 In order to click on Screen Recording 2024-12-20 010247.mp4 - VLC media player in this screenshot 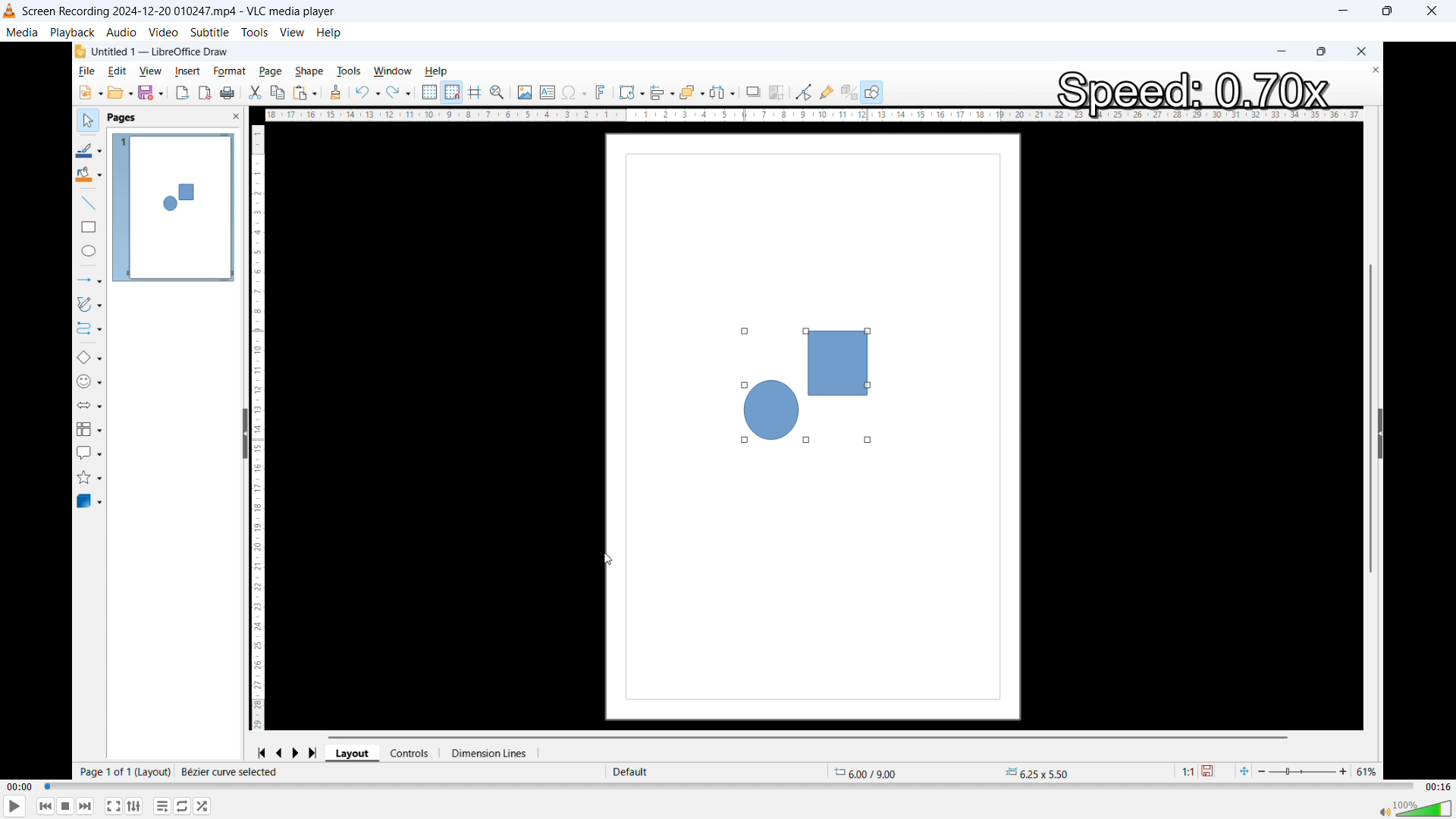, I will do `click(182, 11)`.